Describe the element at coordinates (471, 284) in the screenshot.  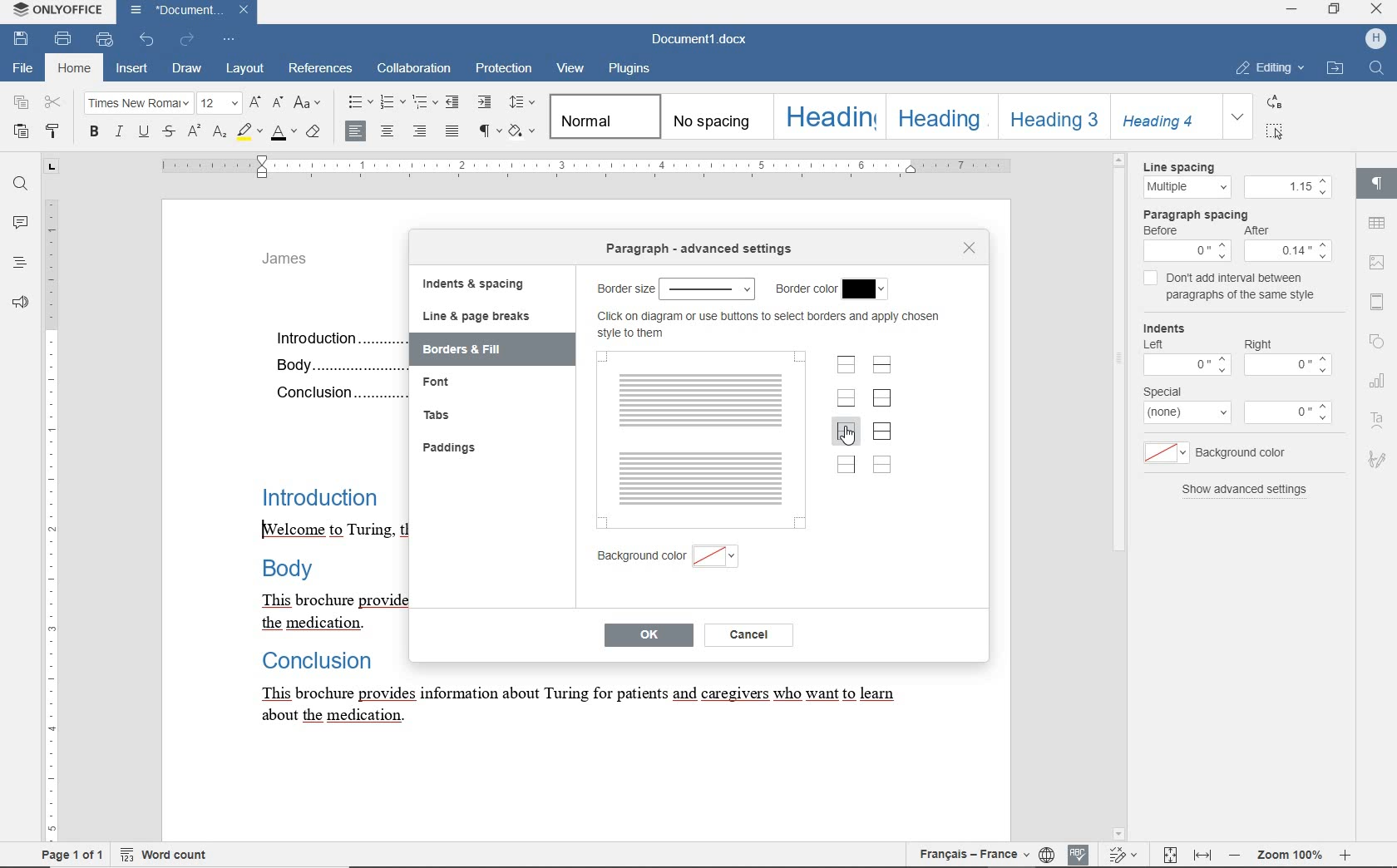
I see `indents & spacing` at that location.